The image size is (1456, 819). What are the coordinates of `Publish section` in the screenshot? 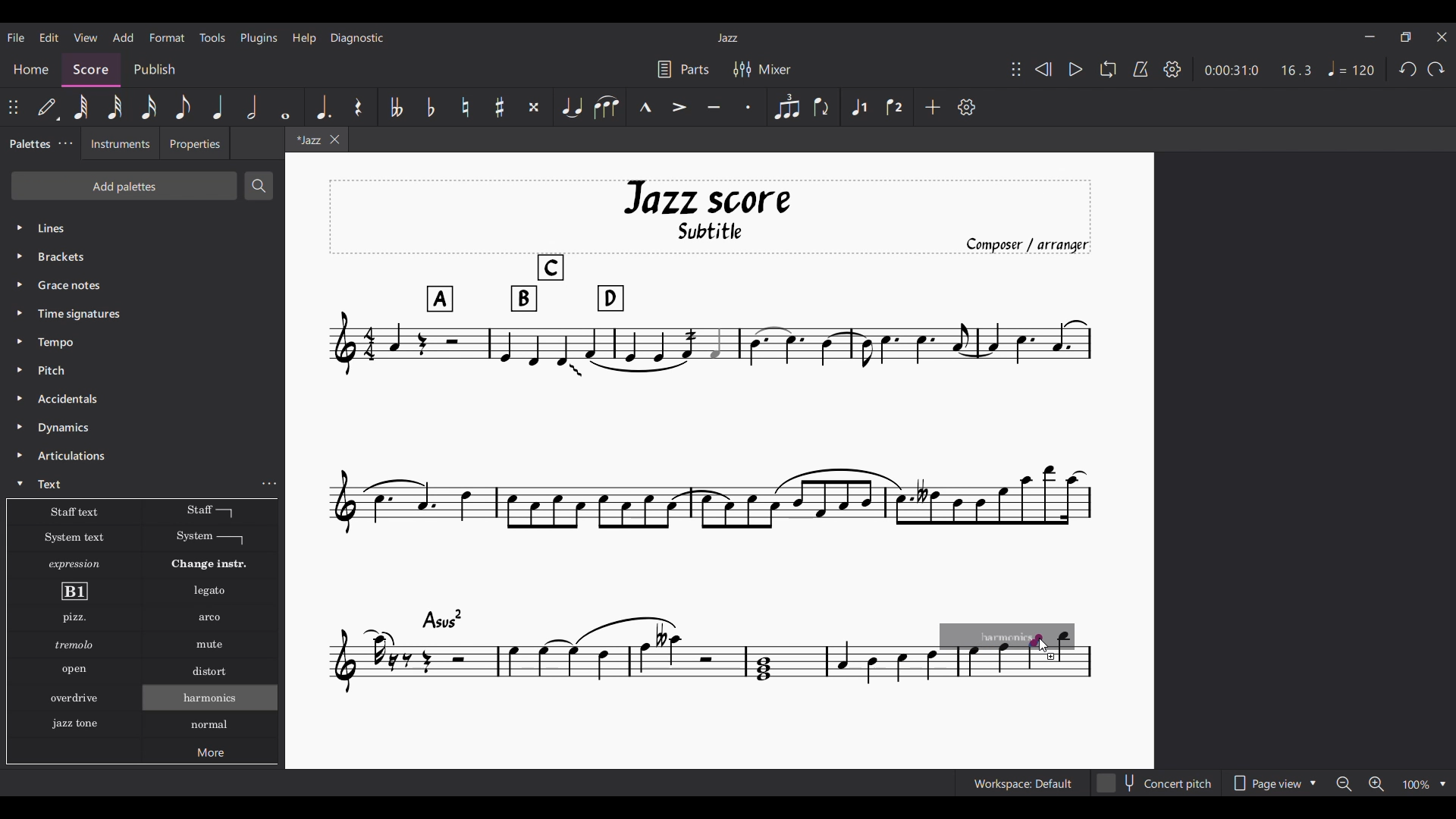 It's located at (155, 70).